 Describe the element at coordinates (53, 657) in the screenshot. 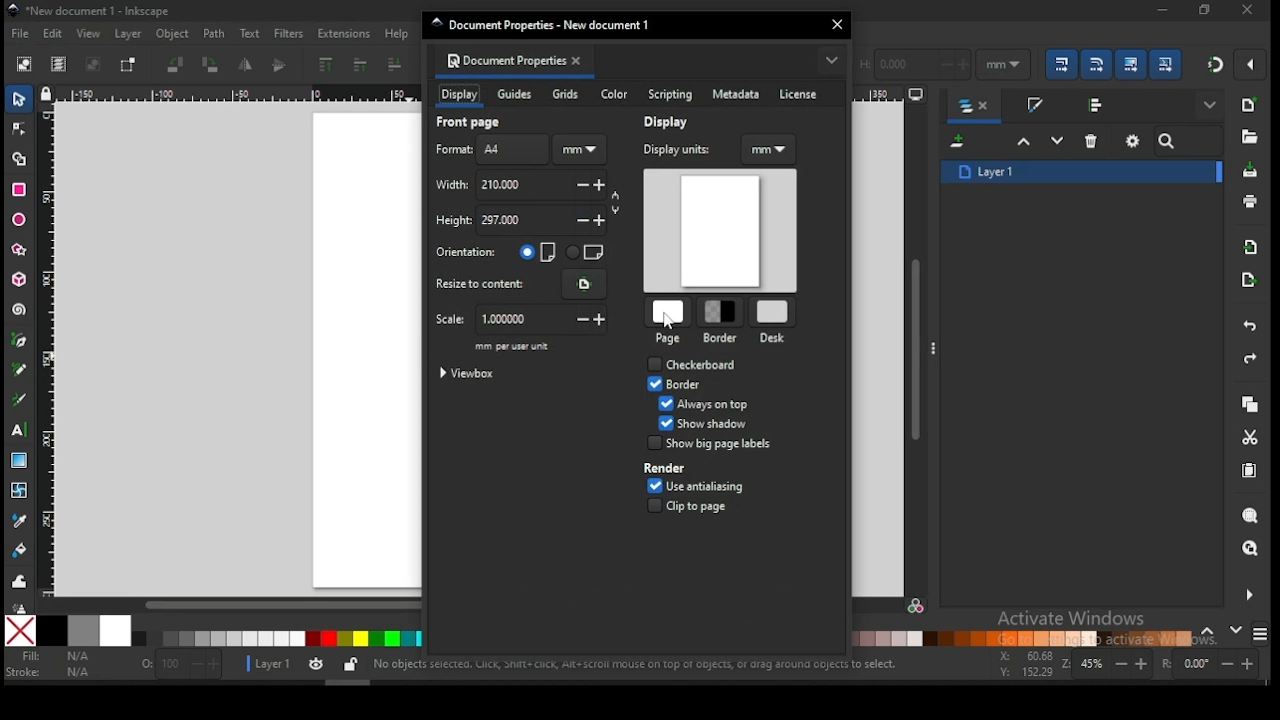

I see `fill color` at that location.